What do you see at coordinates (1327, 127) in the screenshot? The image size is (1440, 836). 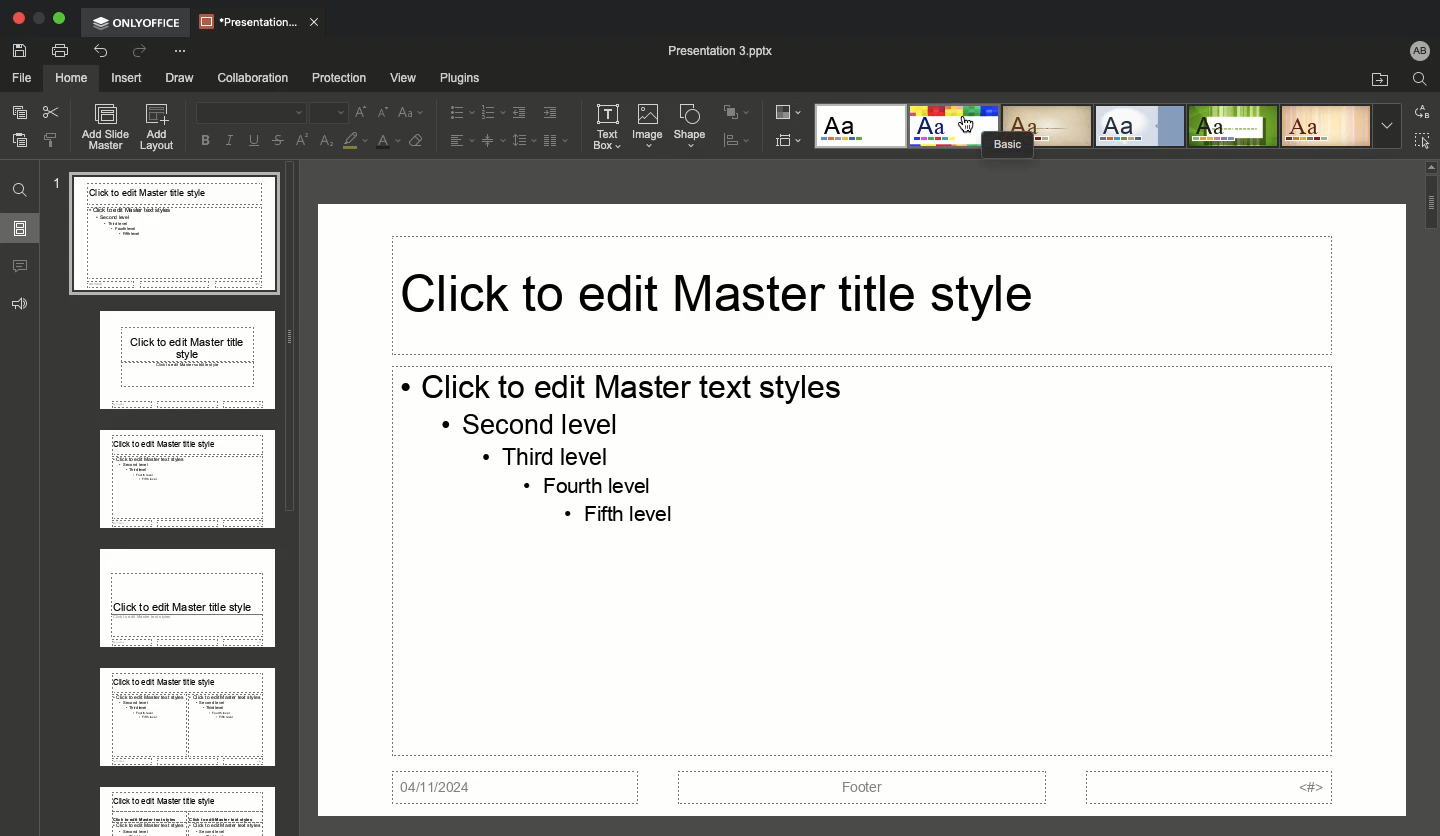 I see `Lines style` at bounding box center [1327, 127].